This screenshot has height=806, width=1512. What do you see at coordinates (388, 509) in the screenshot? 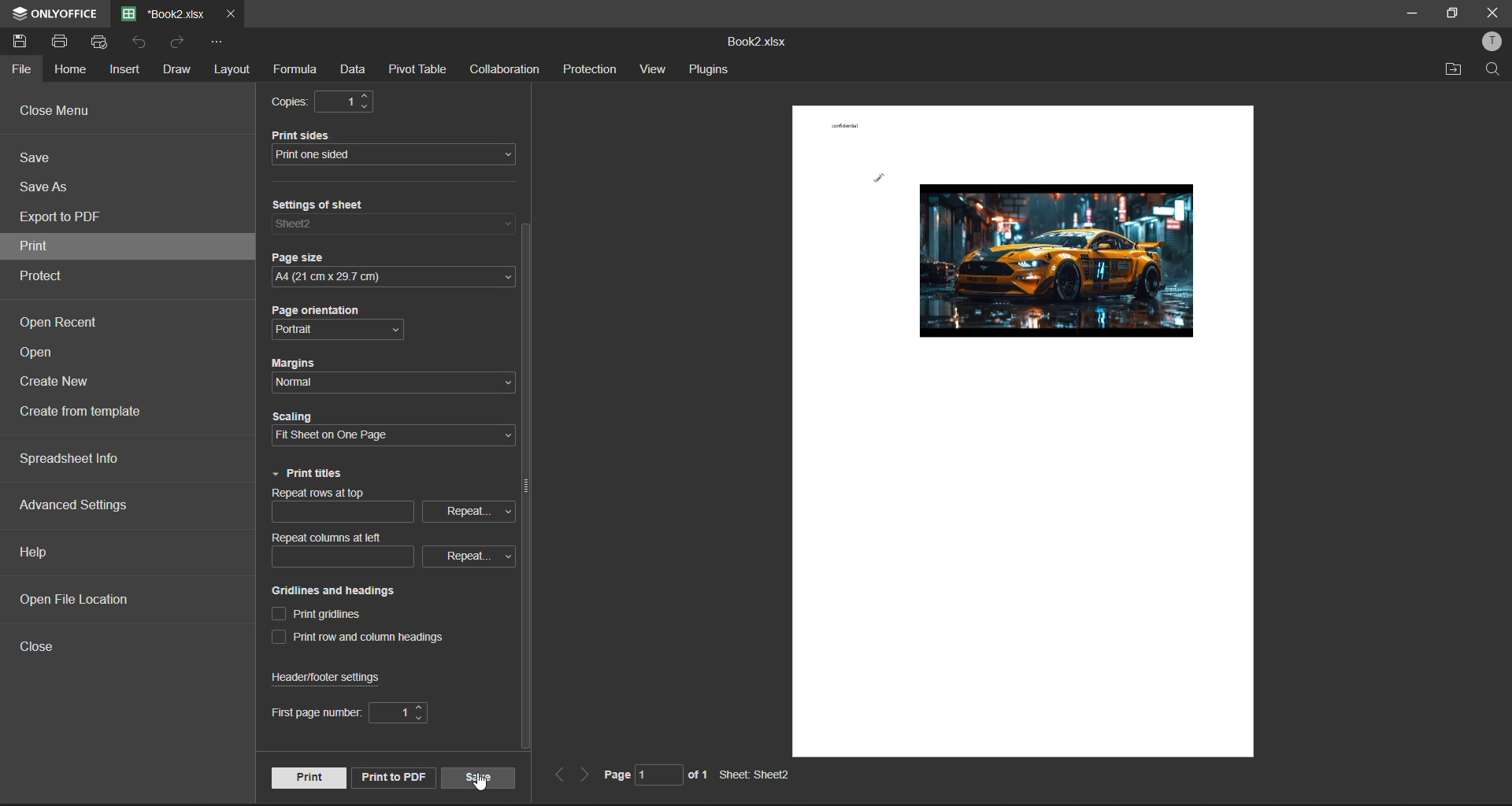
I see `repeat columns at top` at bounding box center [388, 509].